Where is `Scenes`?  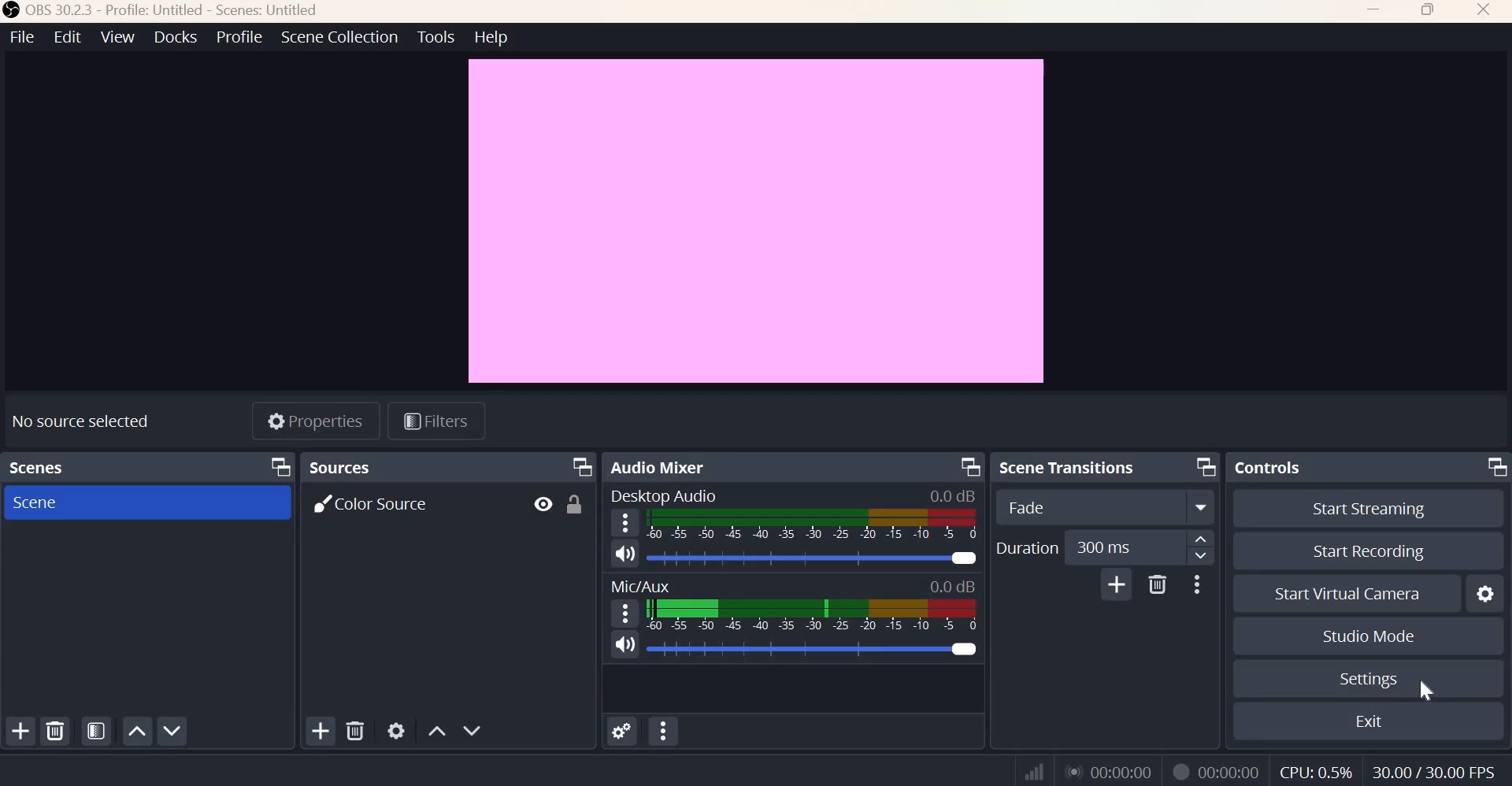 Scenes is located at coordinates (37, 465).